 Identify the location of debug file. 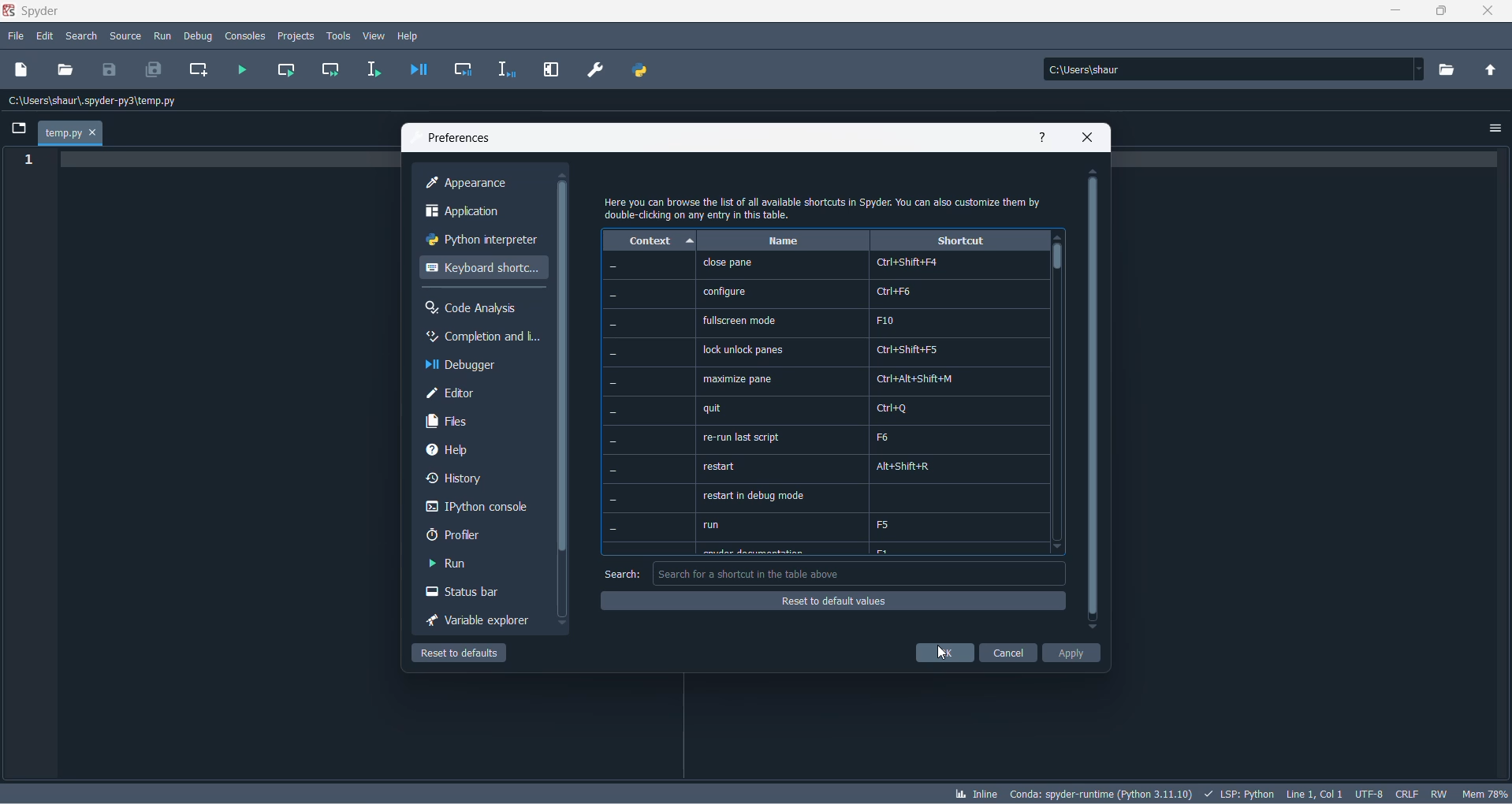
(415, 71).